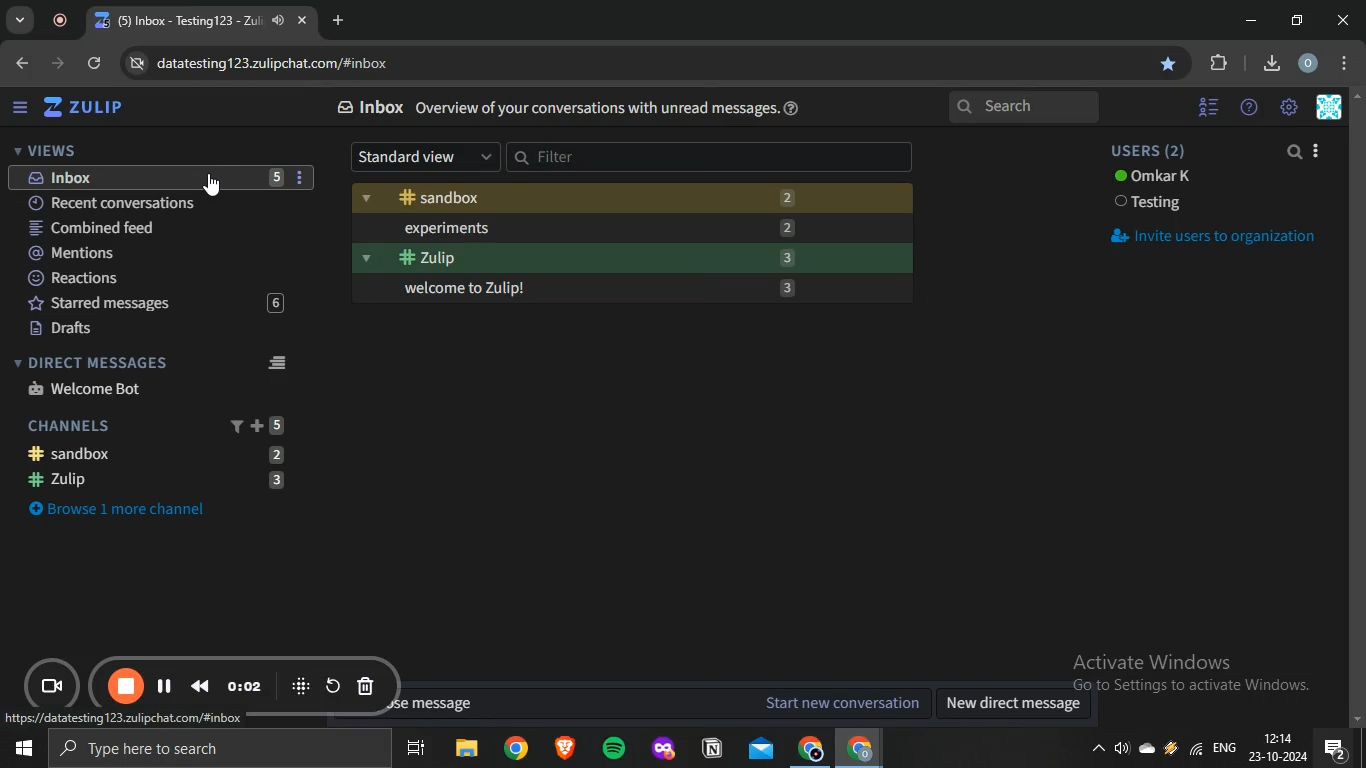  What do you see at coordinates (157, 201) in the screenshot?
I see `recent conversations` at bounding box center [157, 201].